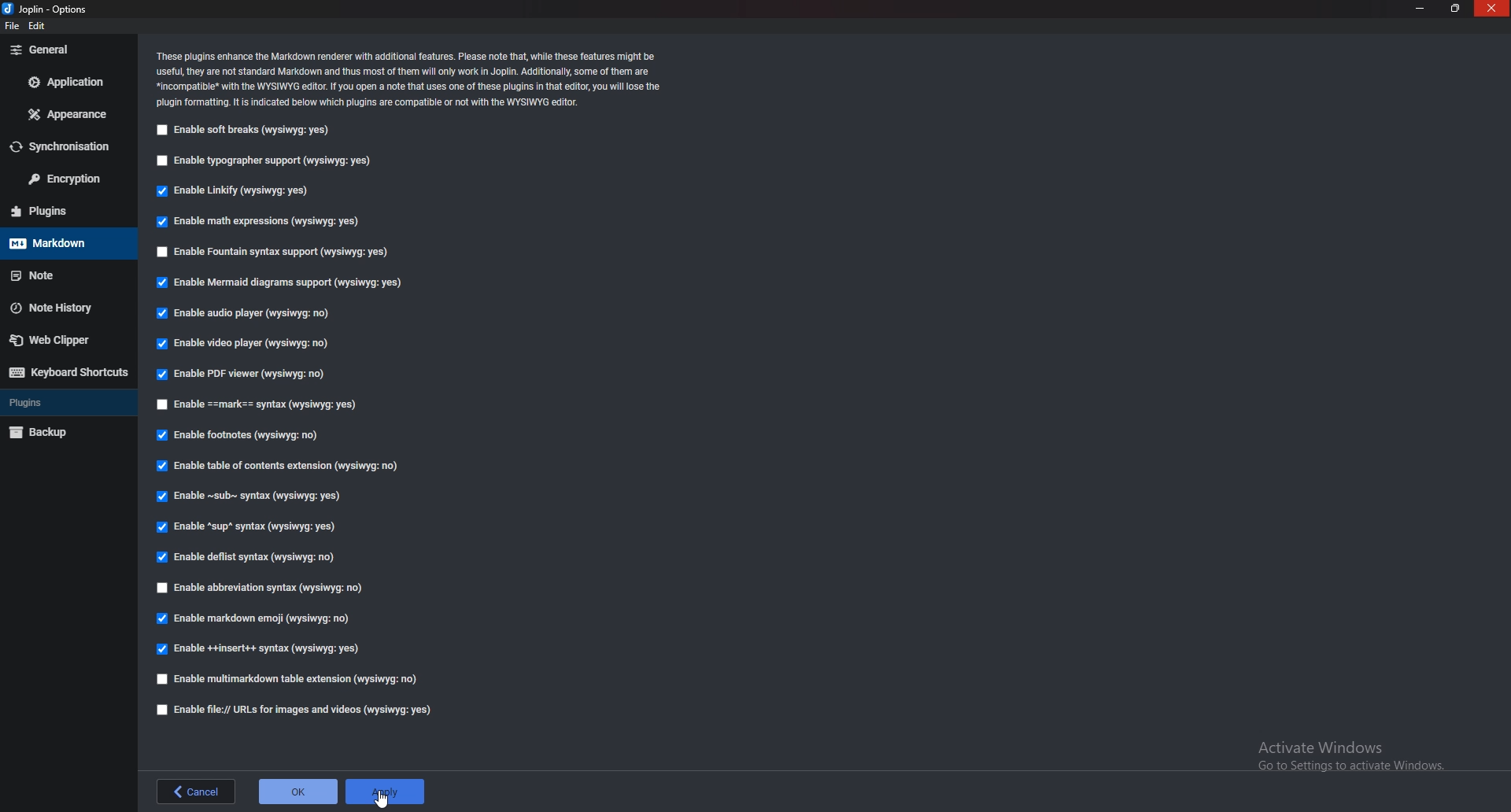 Image resolution: width=1511 pixels, height=812 pixels. I want to click on Enable footnotes, so click(242, 437).